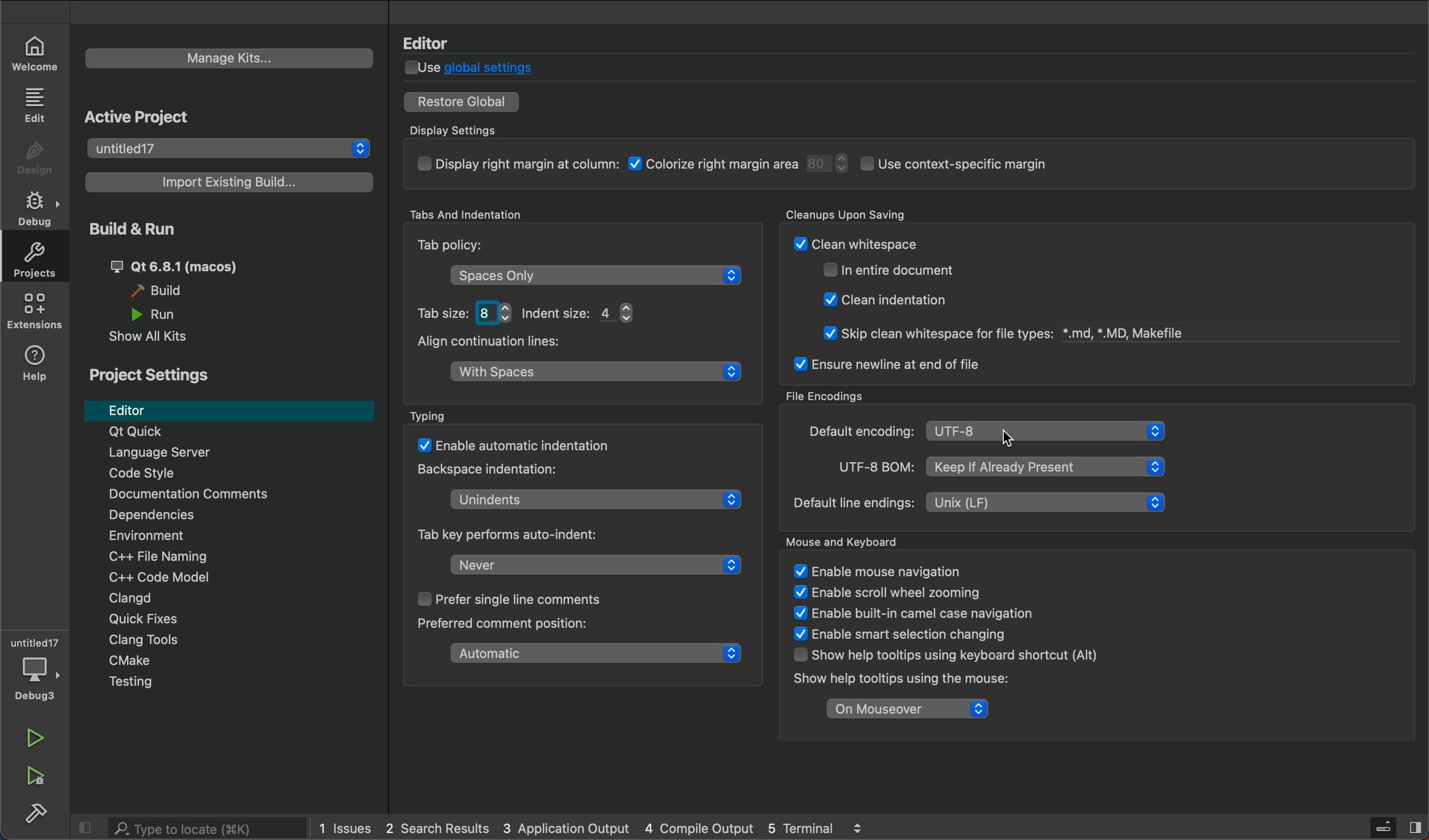  What do you see at coordinates (213, 619) in the screenshot?
I see `Quick Fixes` at bounding box center [213, 619].